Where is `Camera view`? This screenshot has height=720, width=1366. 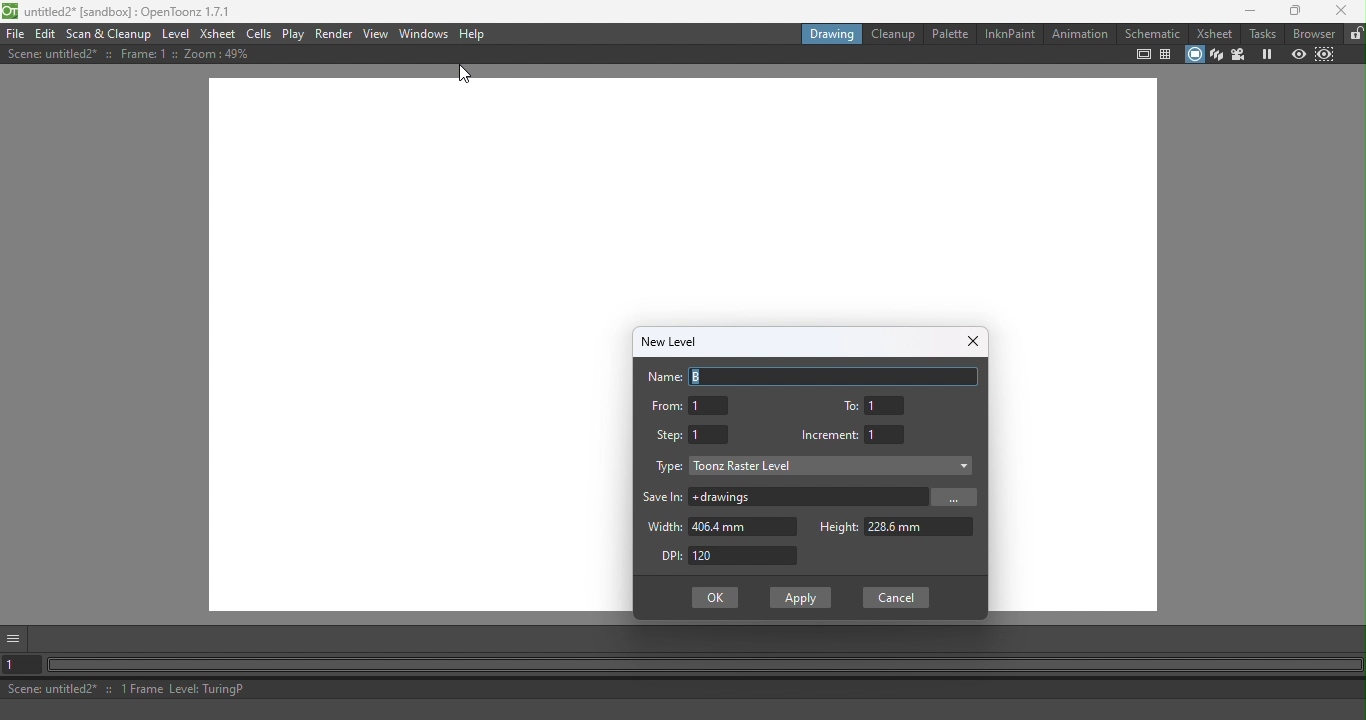 Camera view is located at coordinates (1241, 55).